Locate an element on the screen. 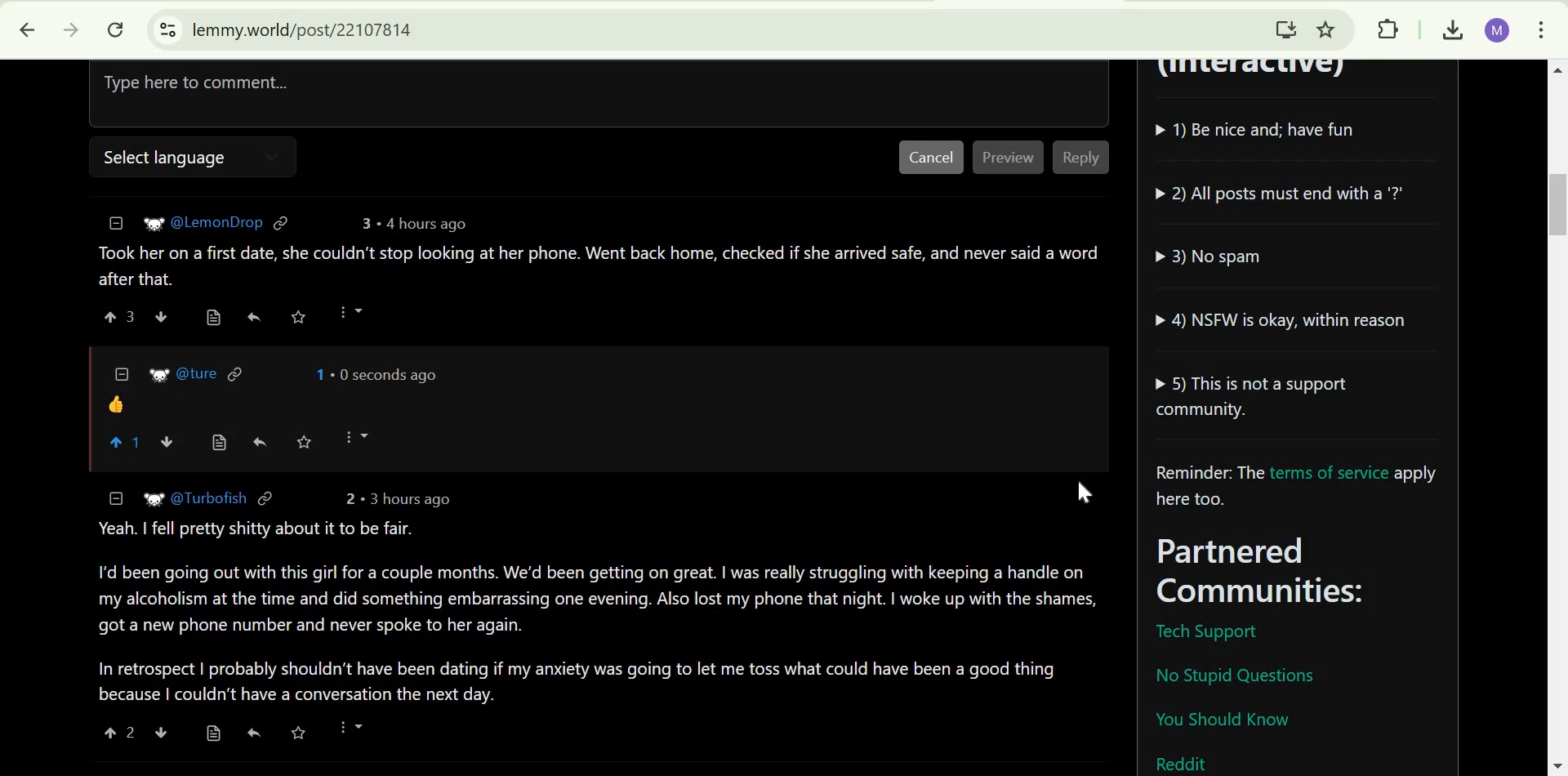 The height and width of the screenshot is (776, 1568). downvote is located at coordinates (160, 317).